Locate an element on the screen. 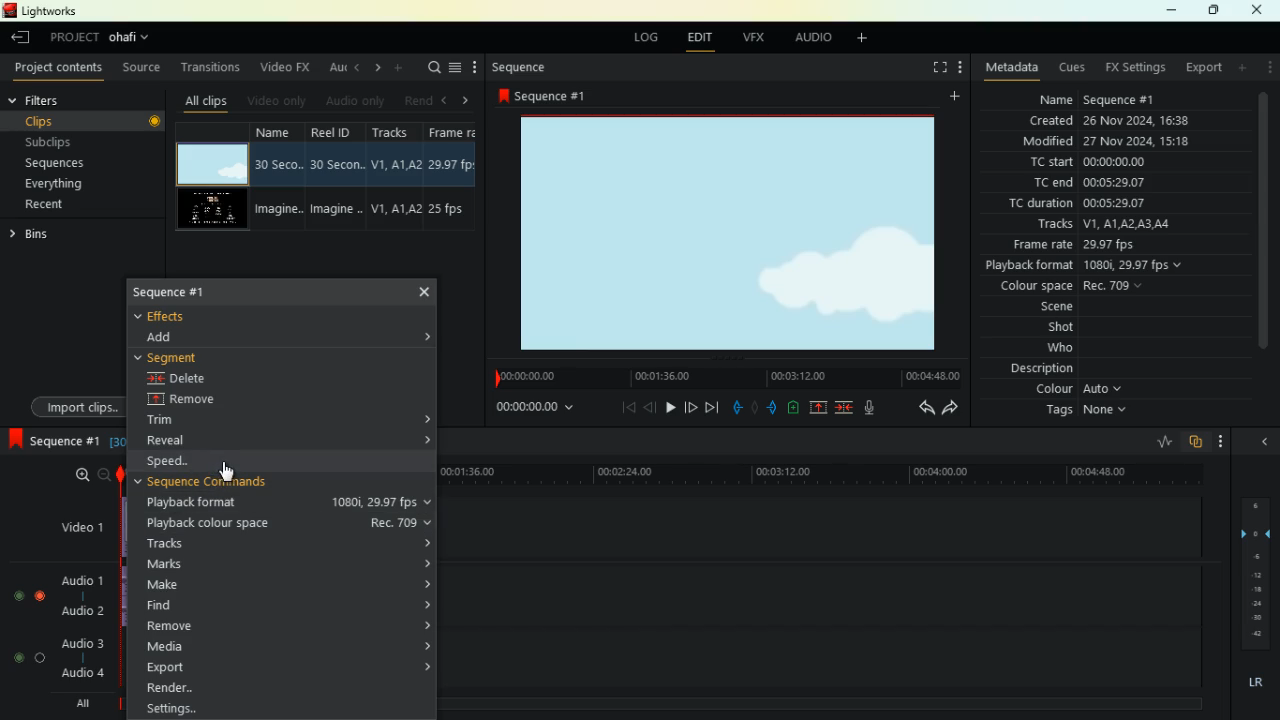 Image resolution: width=1280 pixels, height=720 pixels. tags is located at coordinates (1079, 411).